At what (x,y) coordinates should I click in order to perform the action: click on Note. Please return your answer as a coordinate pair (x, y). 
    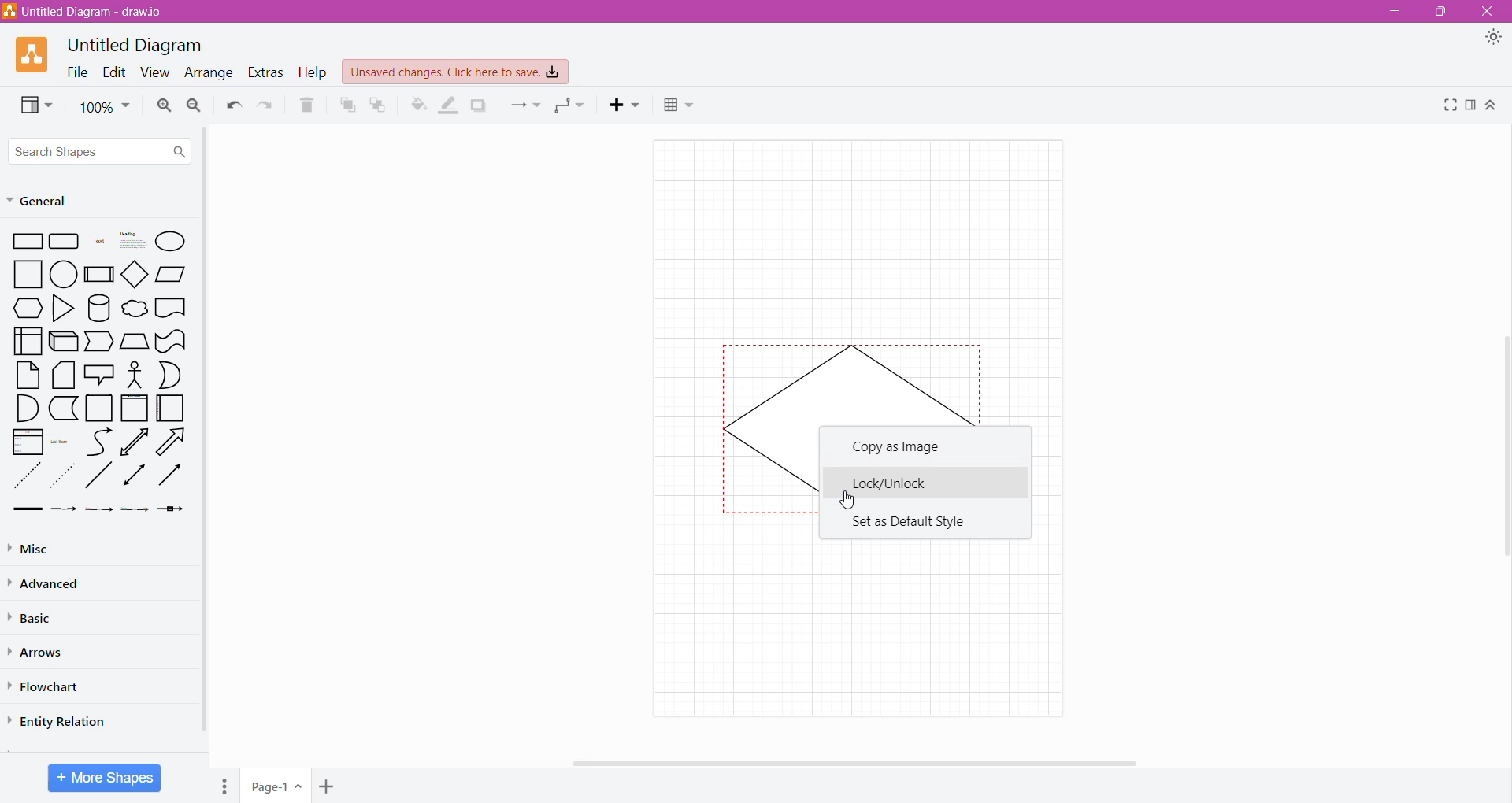
    Looking at the image, I should click on (28, 375).